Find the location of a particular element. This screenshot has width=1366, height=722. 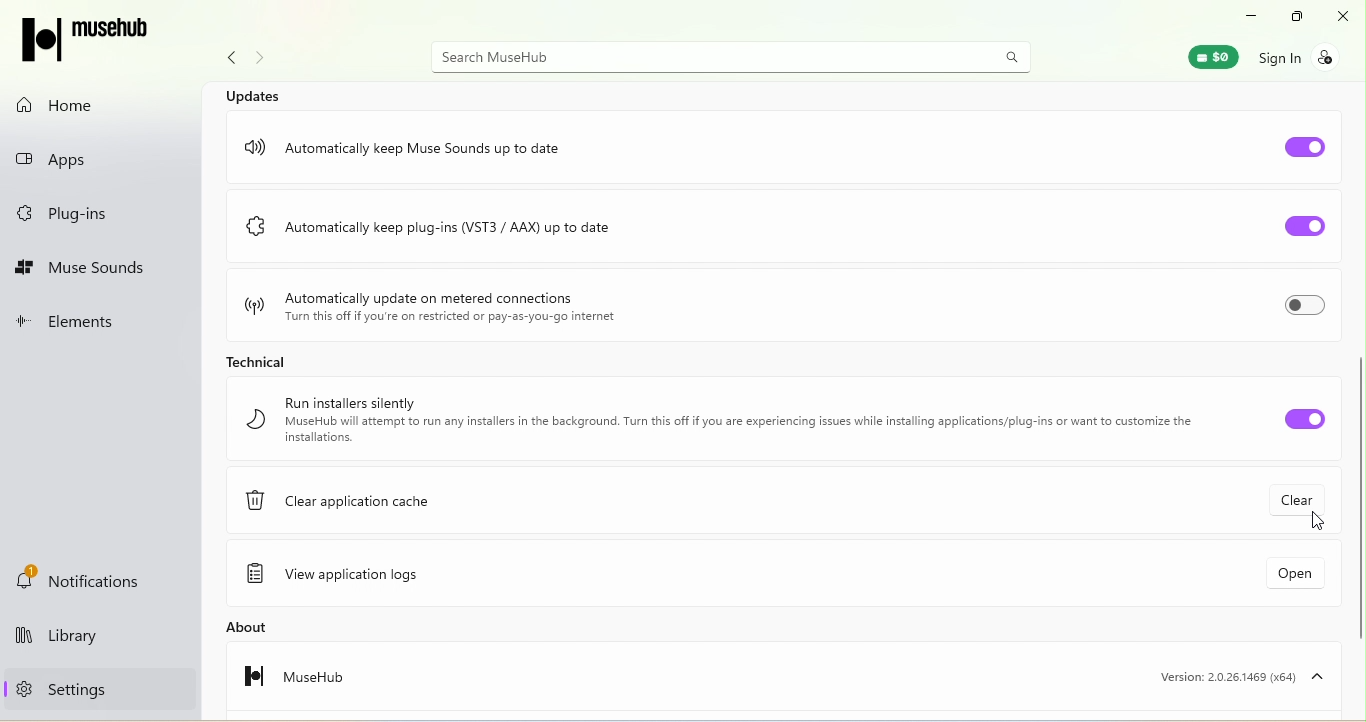

Library is located at coordinates (90, 639).